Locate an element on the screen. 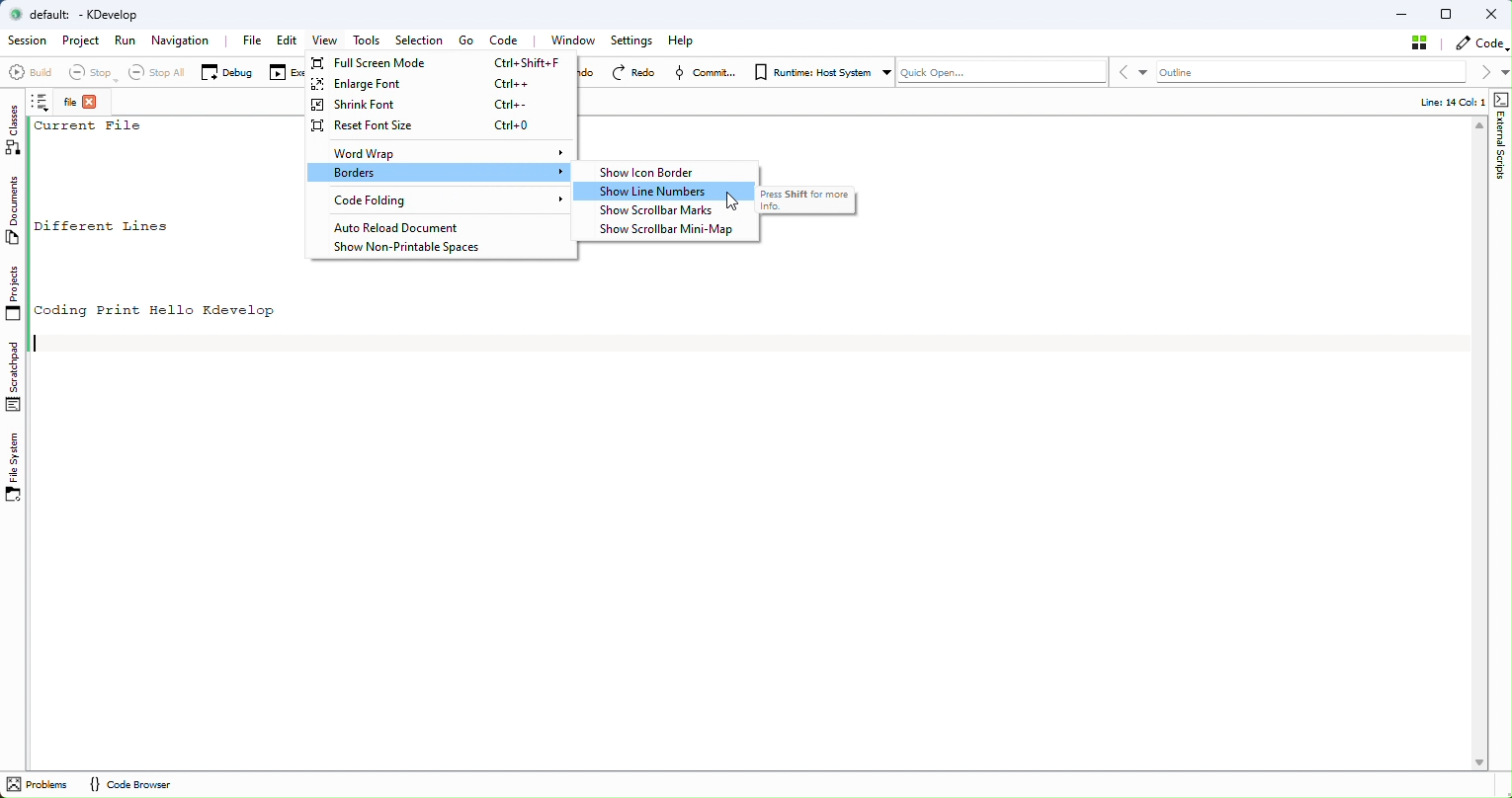  Help is located at coordinates (683, 40).